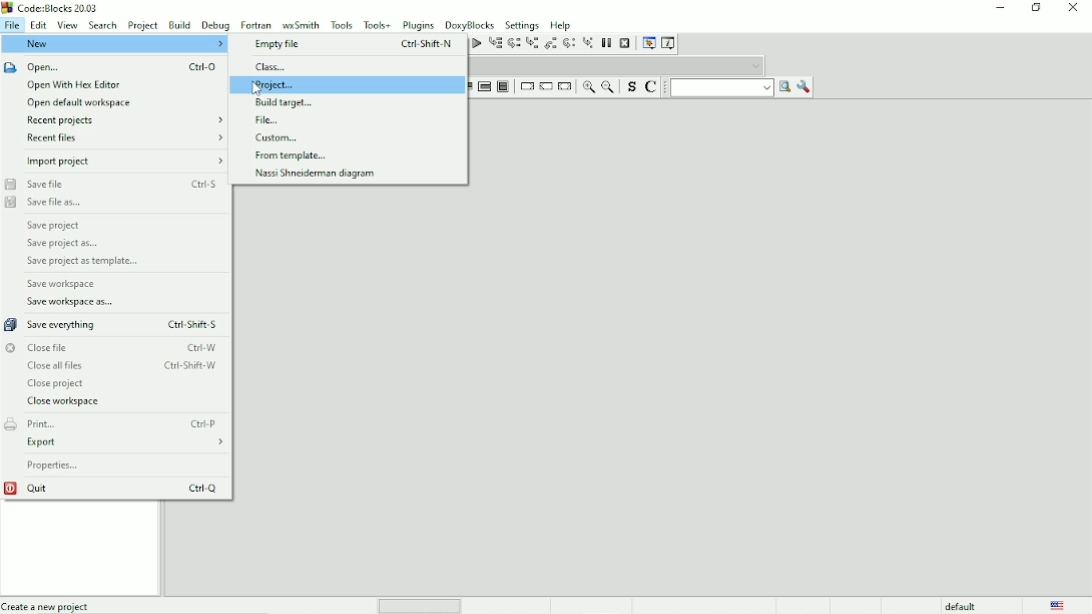 This screenshot has width=1092, height=614. What do you see at coordinates (961, 605) in the screenshot?
I see `default` at bounding box center [961, 605].